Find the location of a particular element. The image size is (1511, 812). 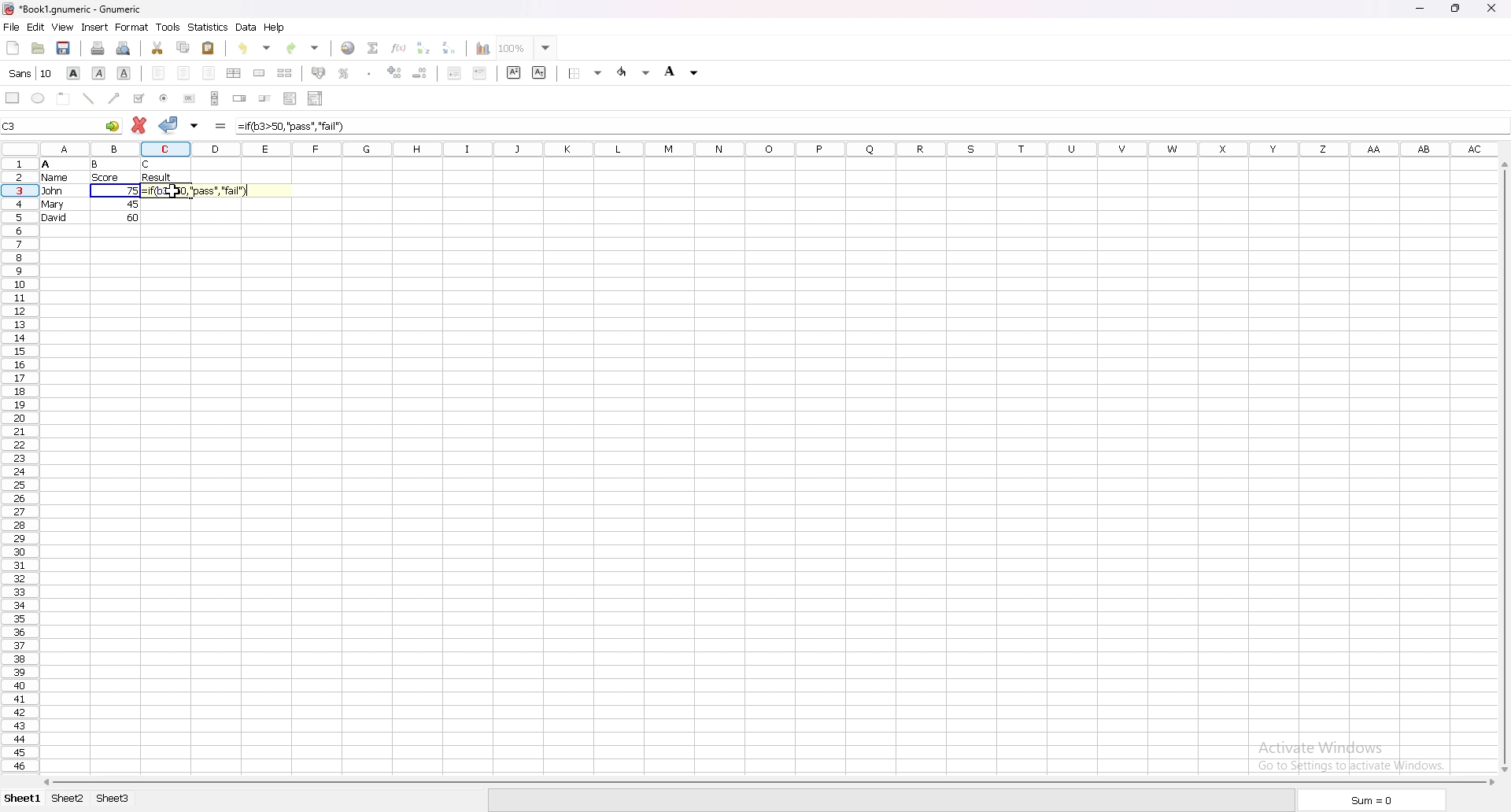

print is located at coordinates (98, 49).